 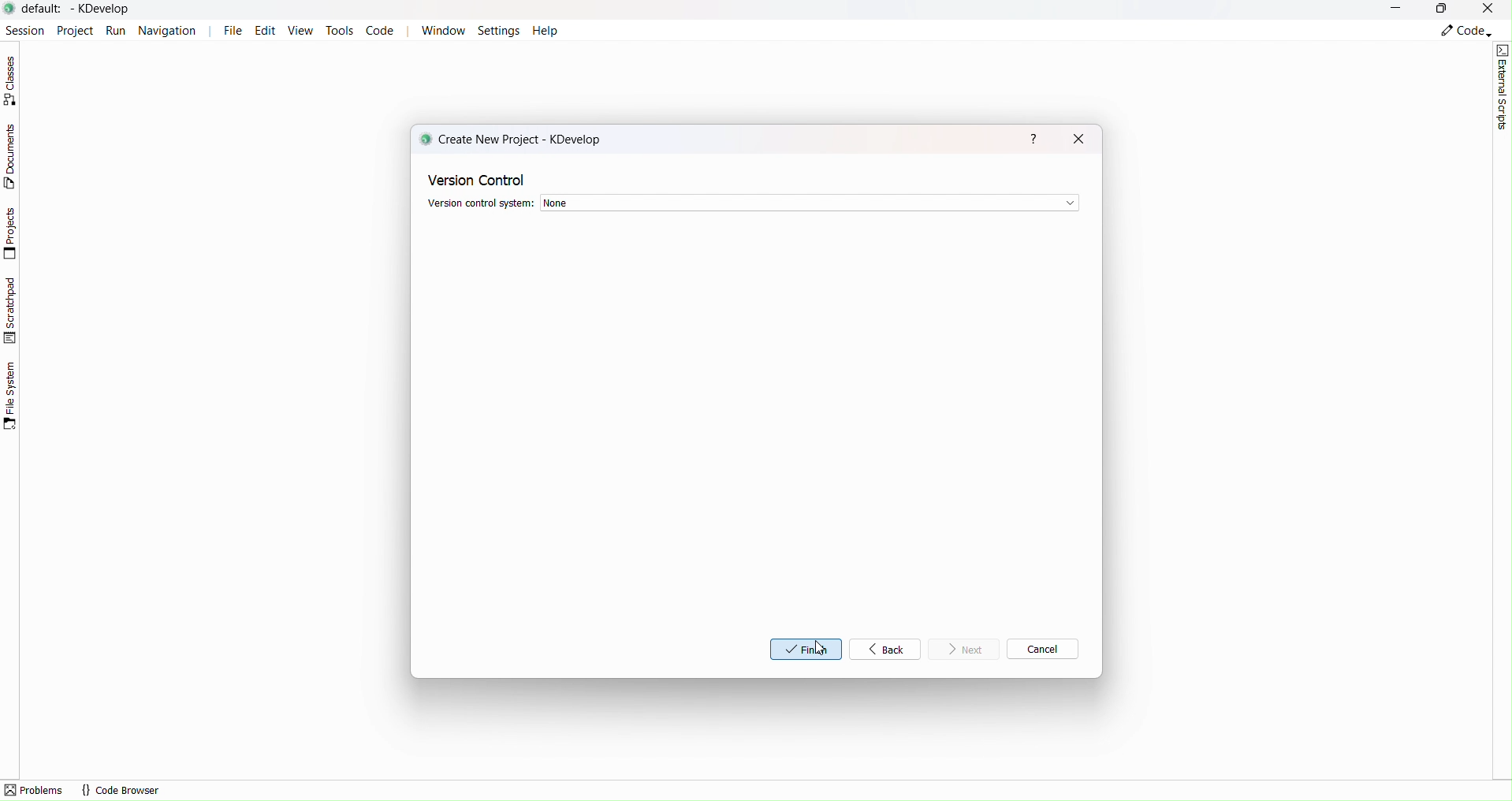 I want to click on Settings, so click(x=500, y=30).